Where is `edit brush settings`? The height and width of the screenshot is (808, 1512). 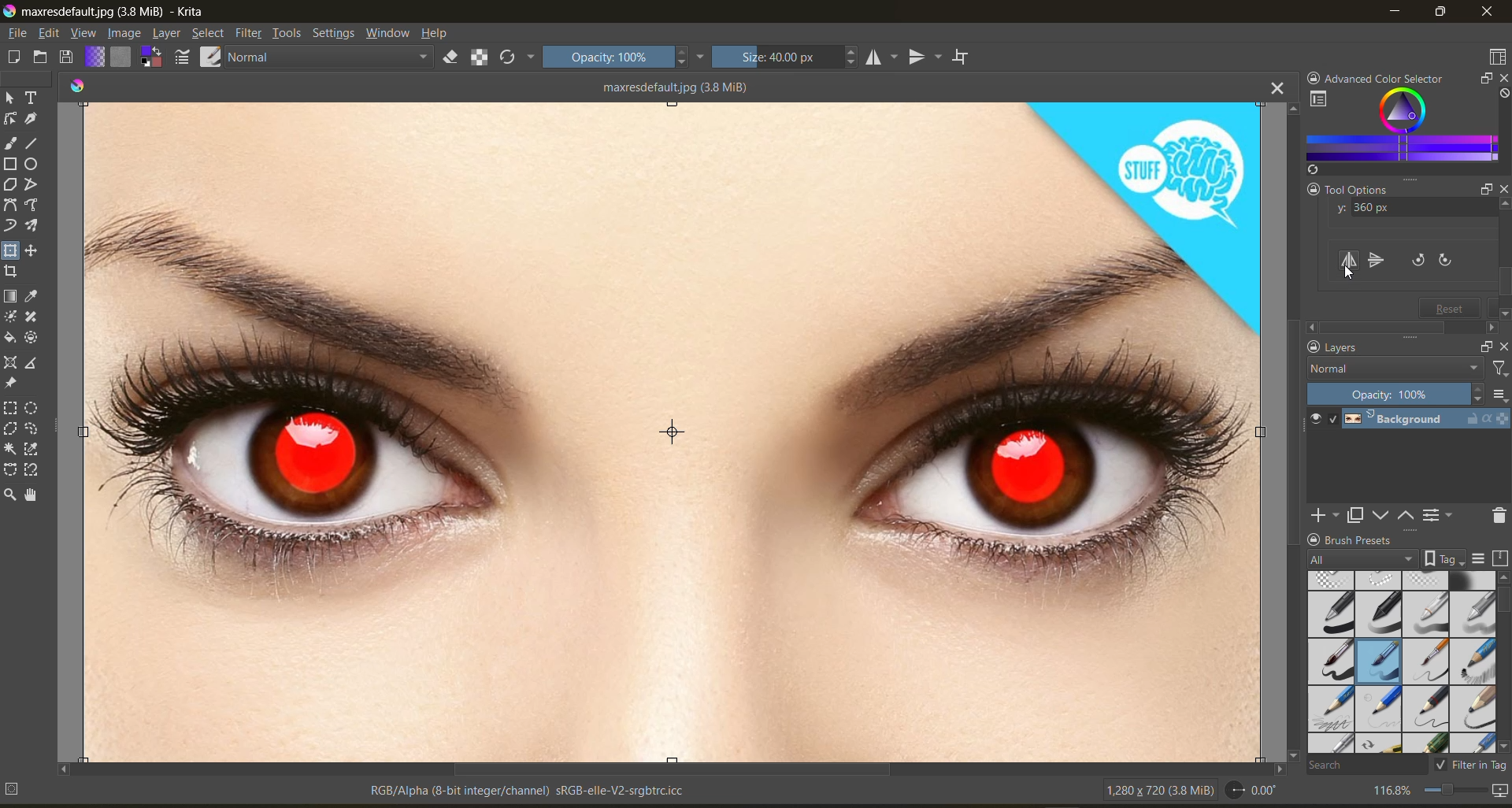
edit brush settings is located at coordinates (184, 57).